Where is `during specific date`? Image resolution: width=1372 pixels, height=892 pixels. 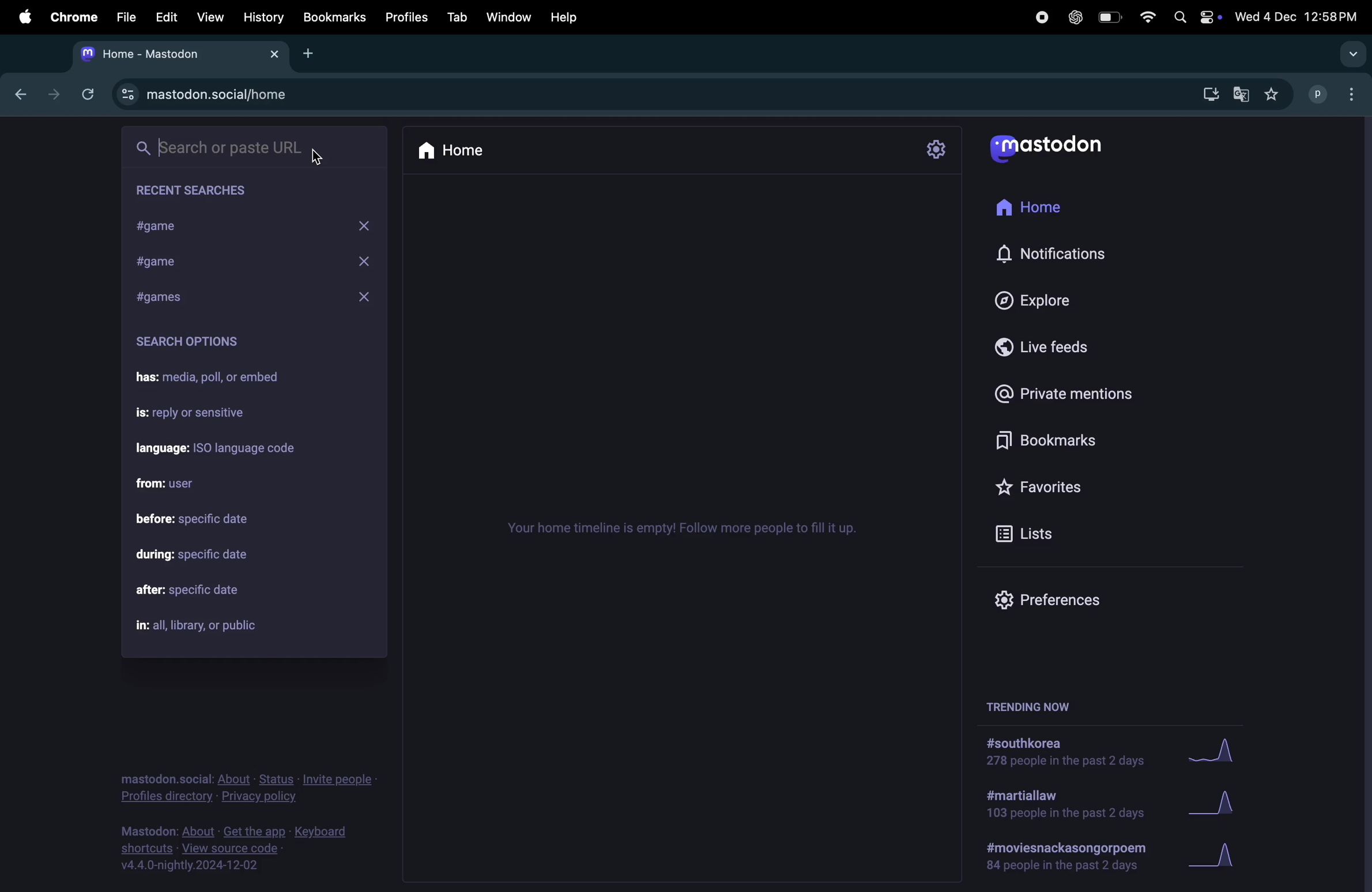 during specific date is located at coordinates (200, 554).